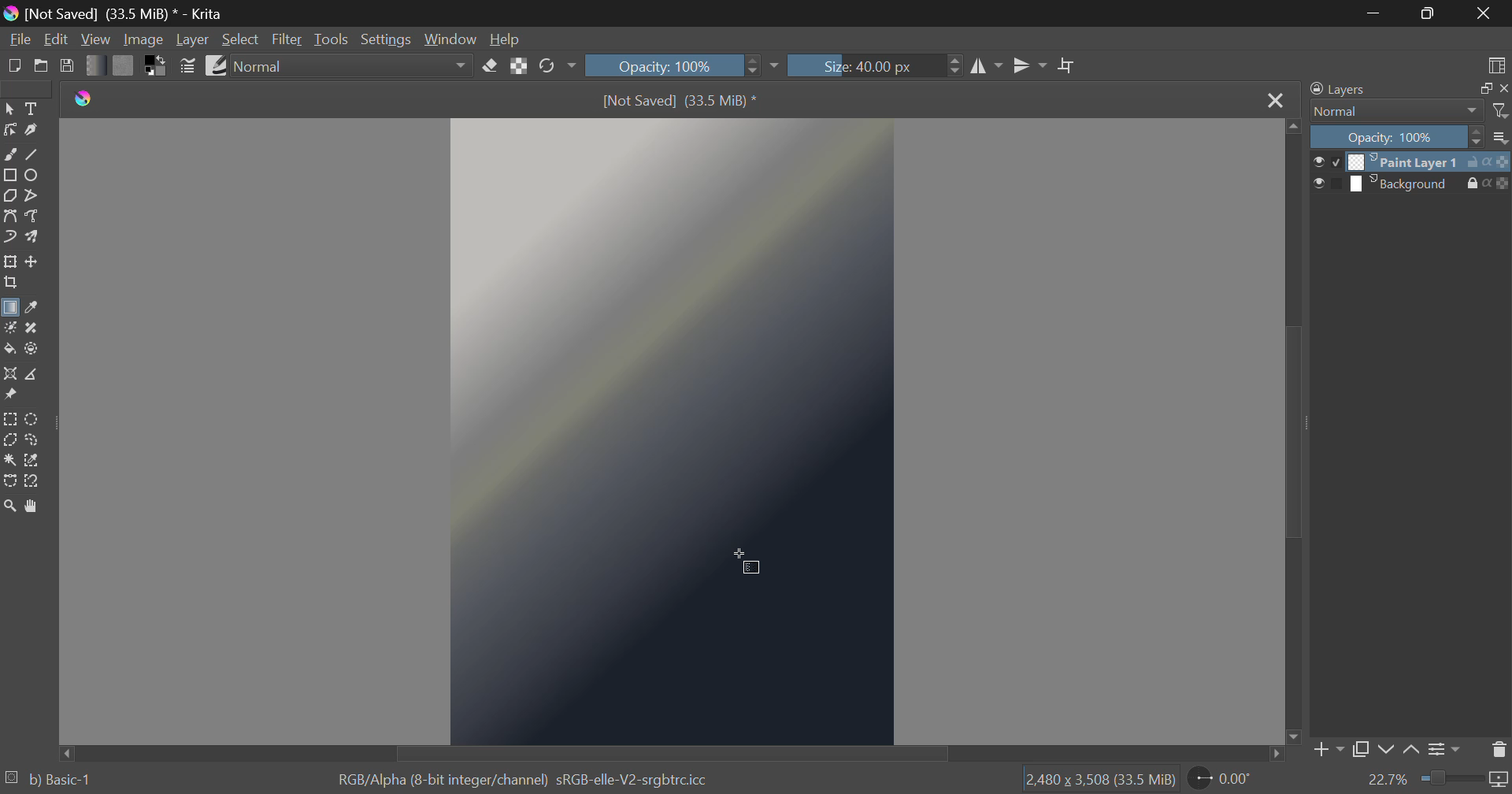  I want to click on icon, so click(1499, 161).